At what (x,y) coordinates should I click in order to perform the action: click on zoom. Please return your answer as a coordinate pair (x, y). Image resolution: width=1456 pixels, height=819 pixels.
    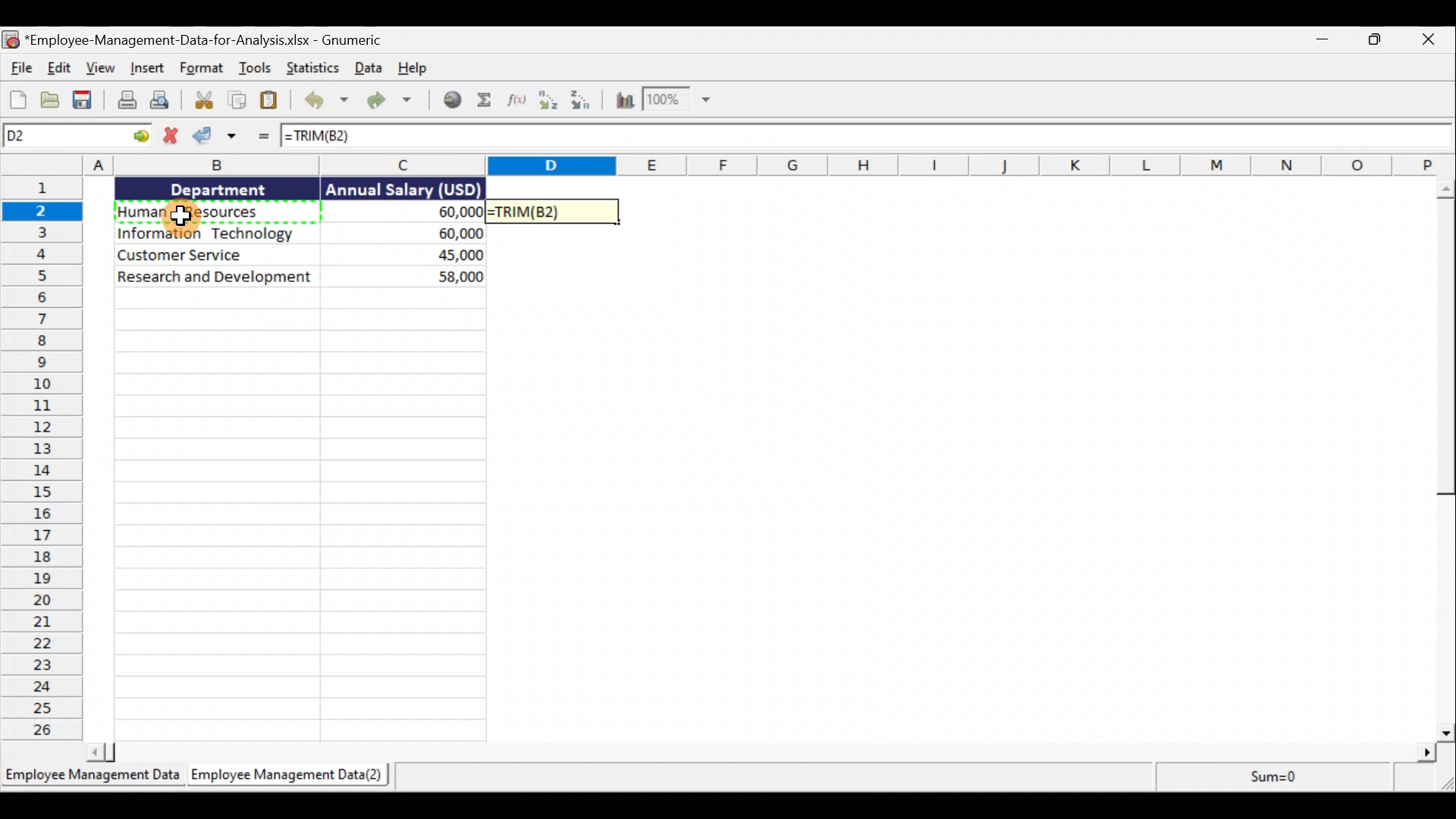
    Looking at the image, I should click on (687, 101).